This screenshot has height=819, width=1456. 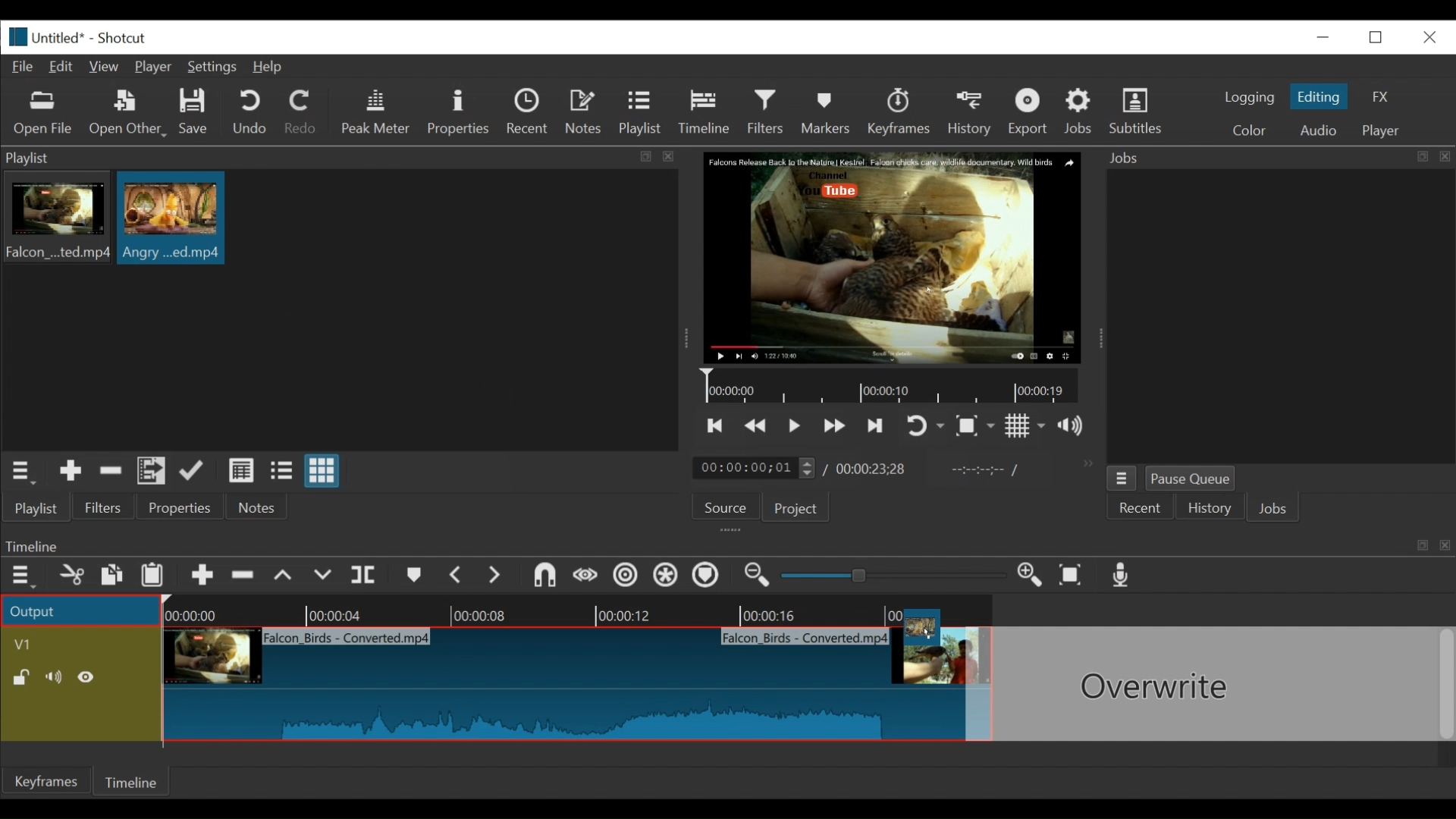 What do you see at coordinates (626, 577) in the screenshot?
I see `Ripple ` at bounding box center [626, 577].